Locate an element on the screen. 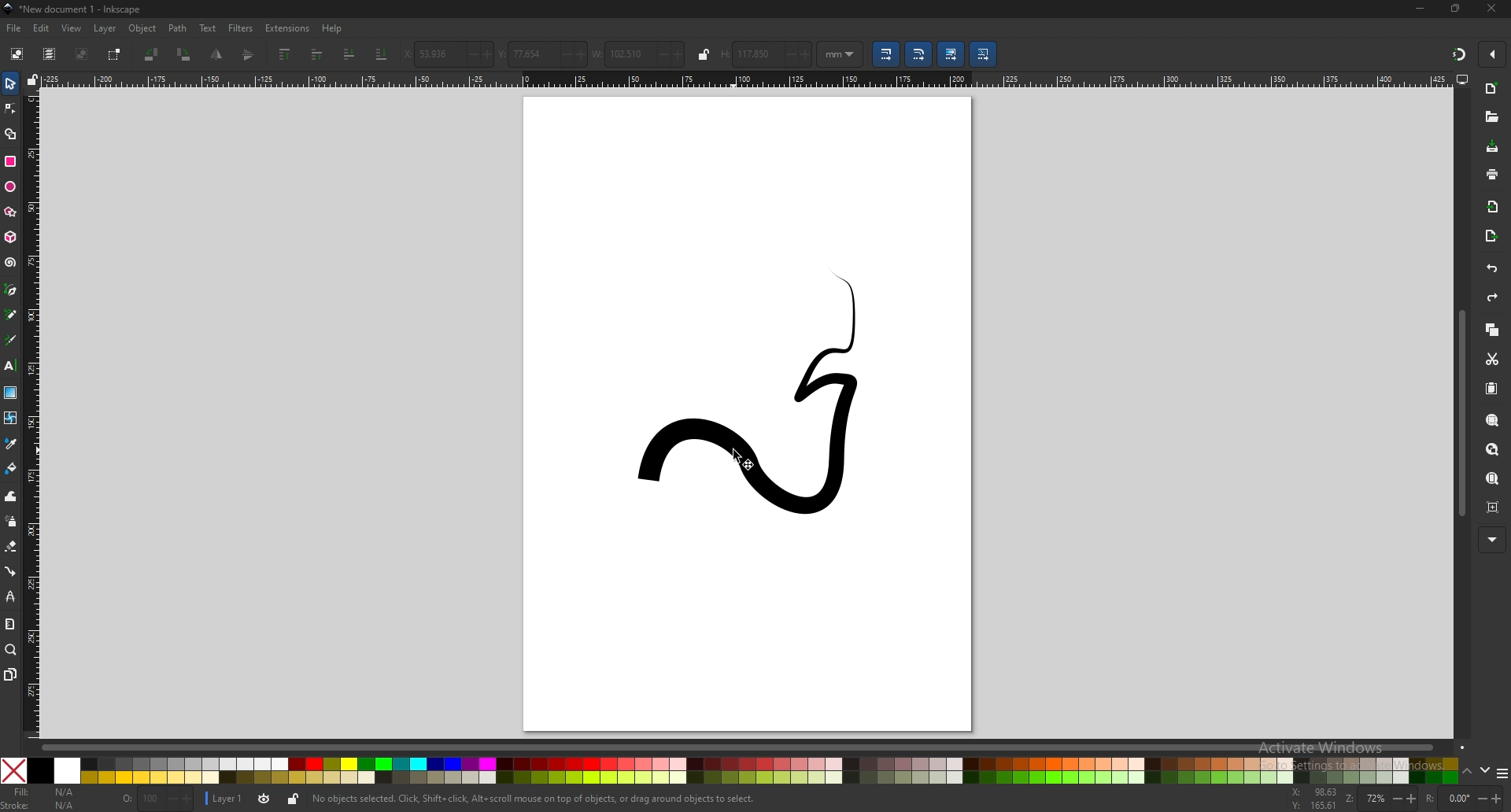  more colors is located at coordinates (1502, 773).